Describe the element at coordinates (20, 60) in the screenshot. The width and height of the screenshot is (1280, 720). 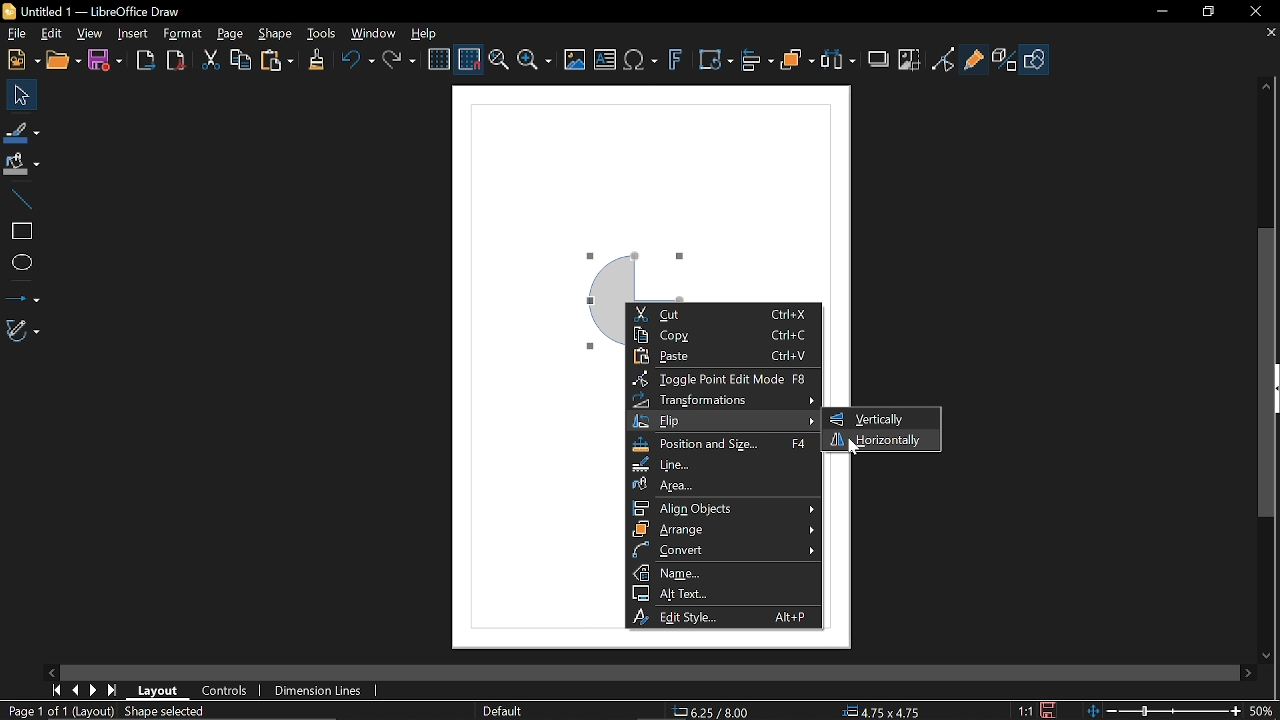
I see `new` at that location.